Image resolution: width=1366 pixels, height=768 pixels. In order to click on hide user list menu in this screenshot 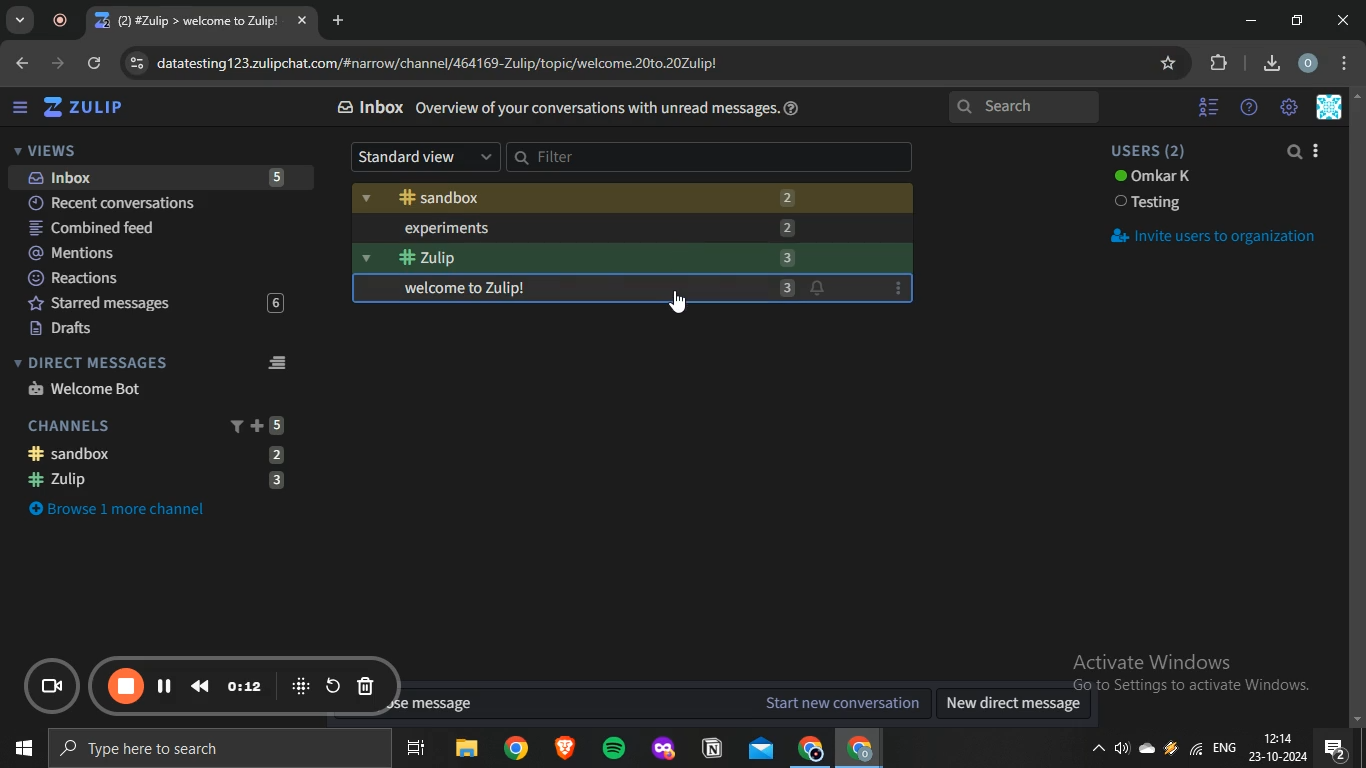, I will do `click(1209, 104)`.